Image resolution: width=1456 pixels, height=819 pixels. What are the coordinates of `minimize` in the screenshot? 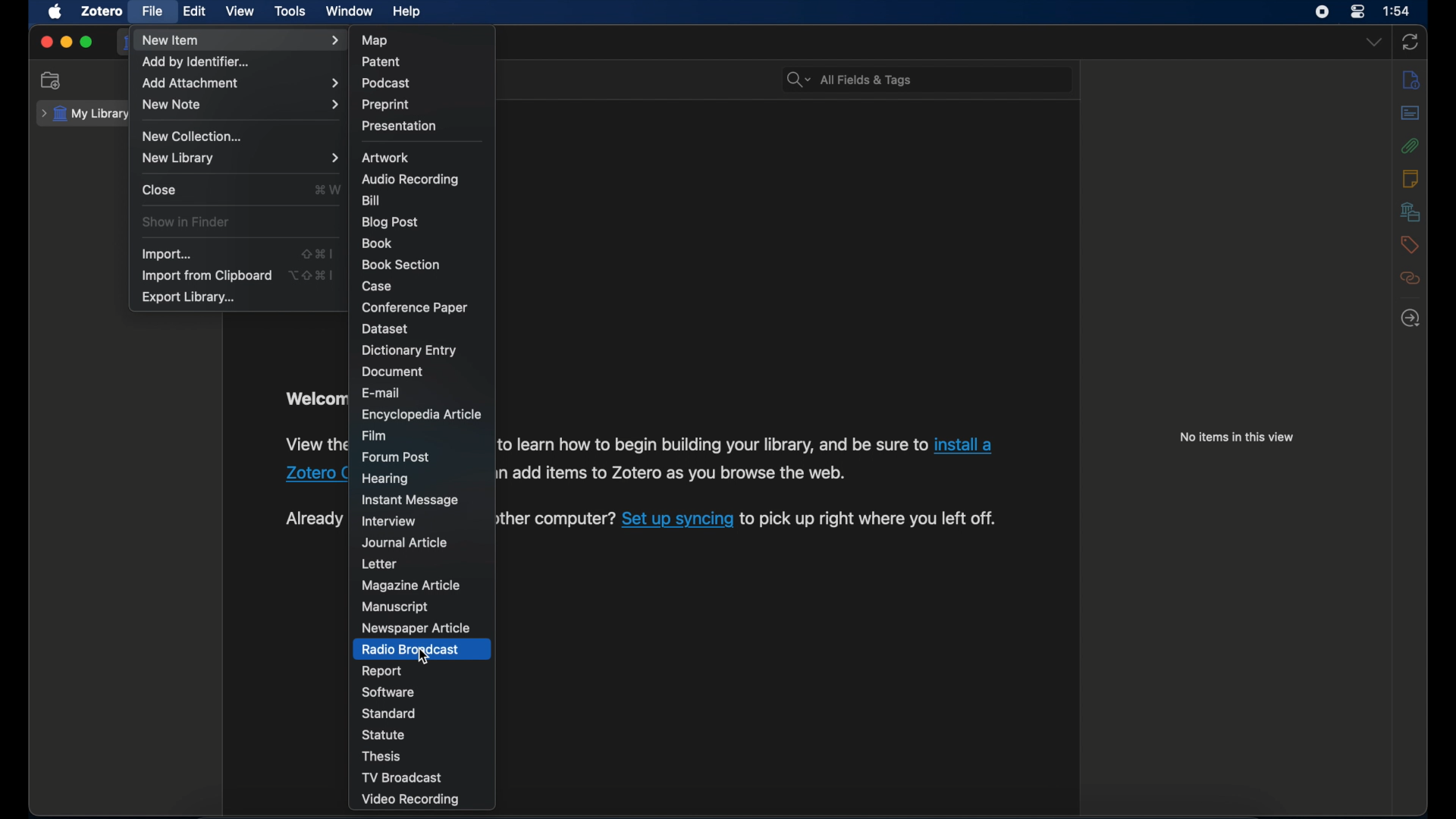 It's located at (67, 42).